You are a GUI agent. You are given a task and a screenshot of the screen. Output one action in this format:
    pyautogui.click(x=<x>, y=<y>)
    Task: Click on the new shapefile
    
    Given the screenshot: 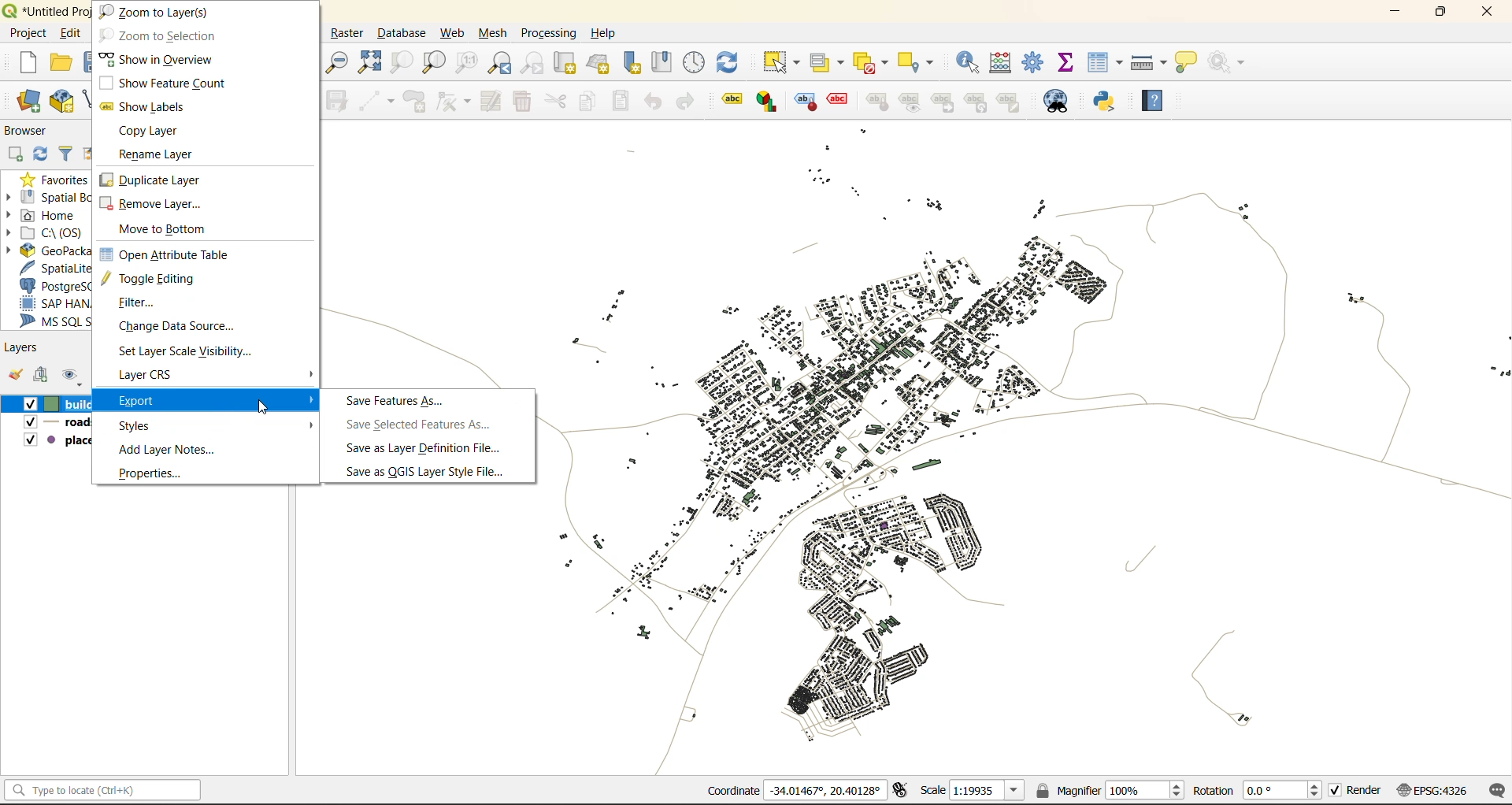 What is the action you would take?
    pyautogui.click(x=86, y=100)
    